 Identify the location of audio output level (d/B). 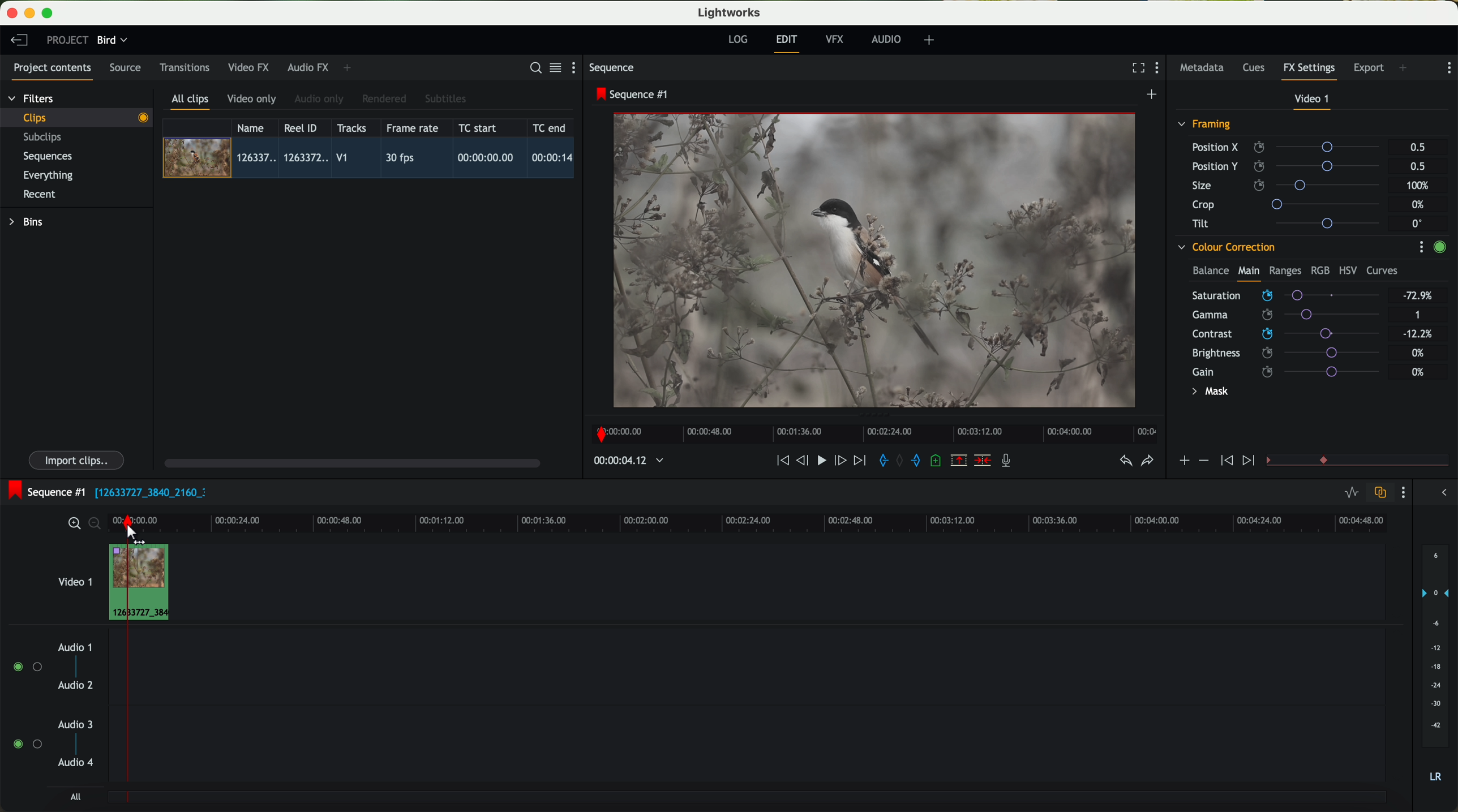
(1436, 667).